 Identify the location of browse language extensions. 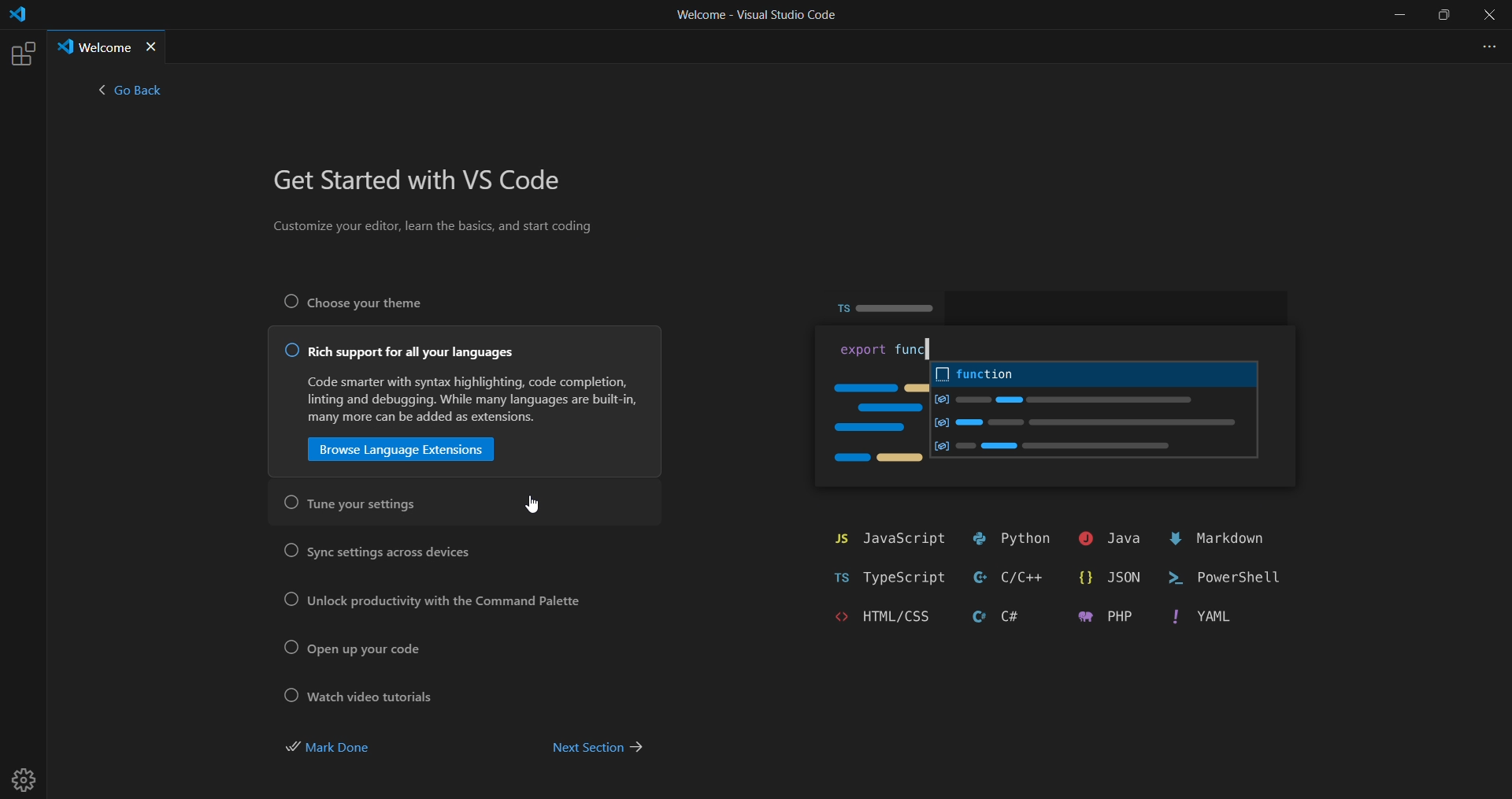
(402, 450).